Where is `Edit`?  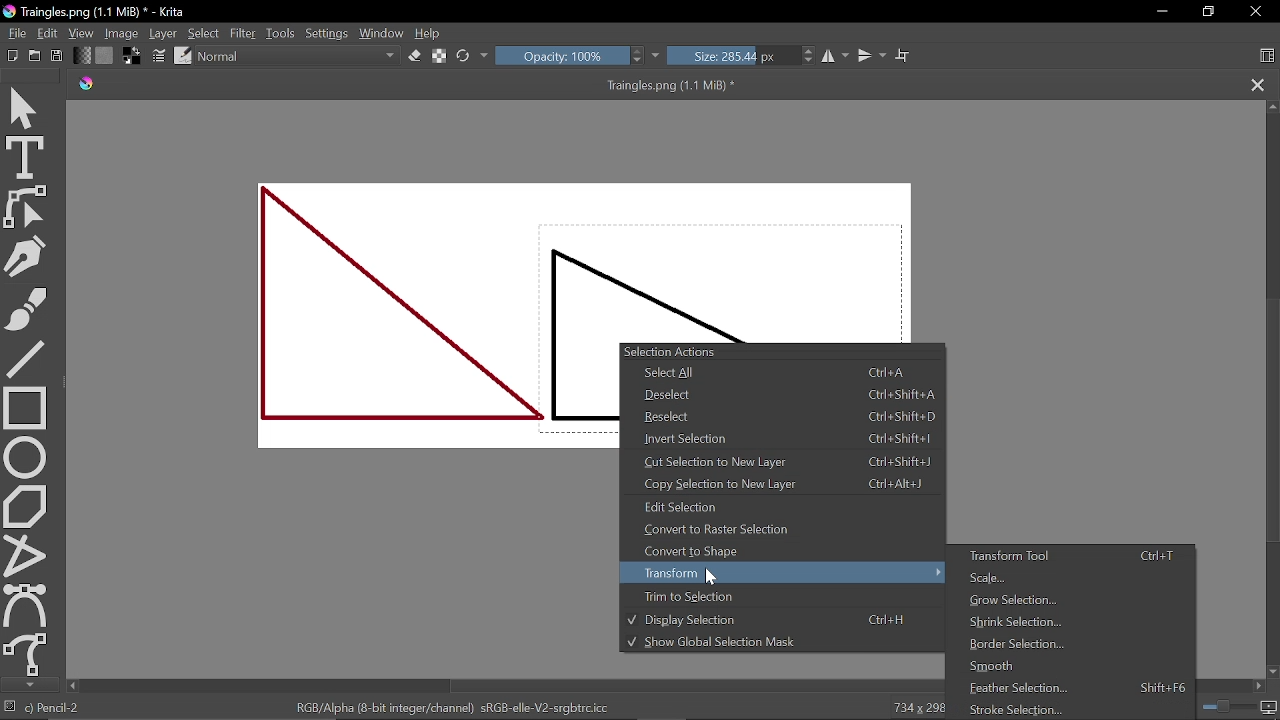 Edit is located at coordinates (47, 33).